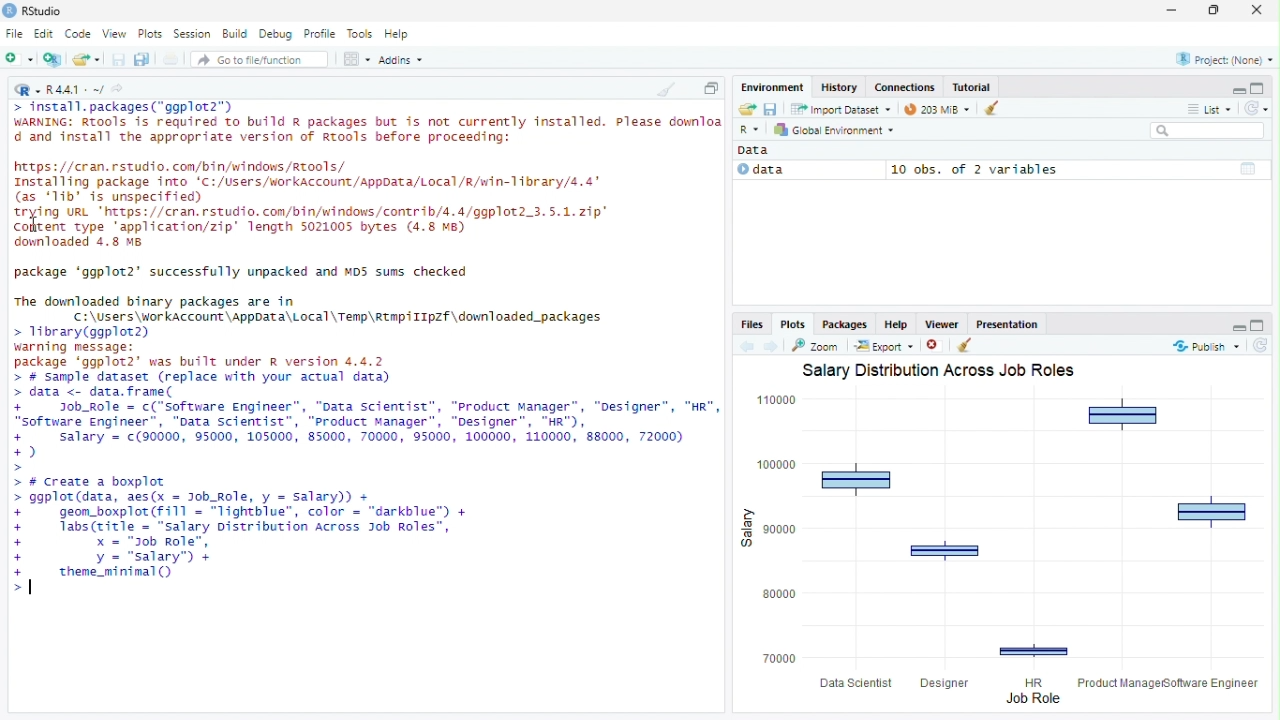  What do you see at coordinates (323, 34) in the screenshot?
I see `Profile` at bounding box center [323, 34].